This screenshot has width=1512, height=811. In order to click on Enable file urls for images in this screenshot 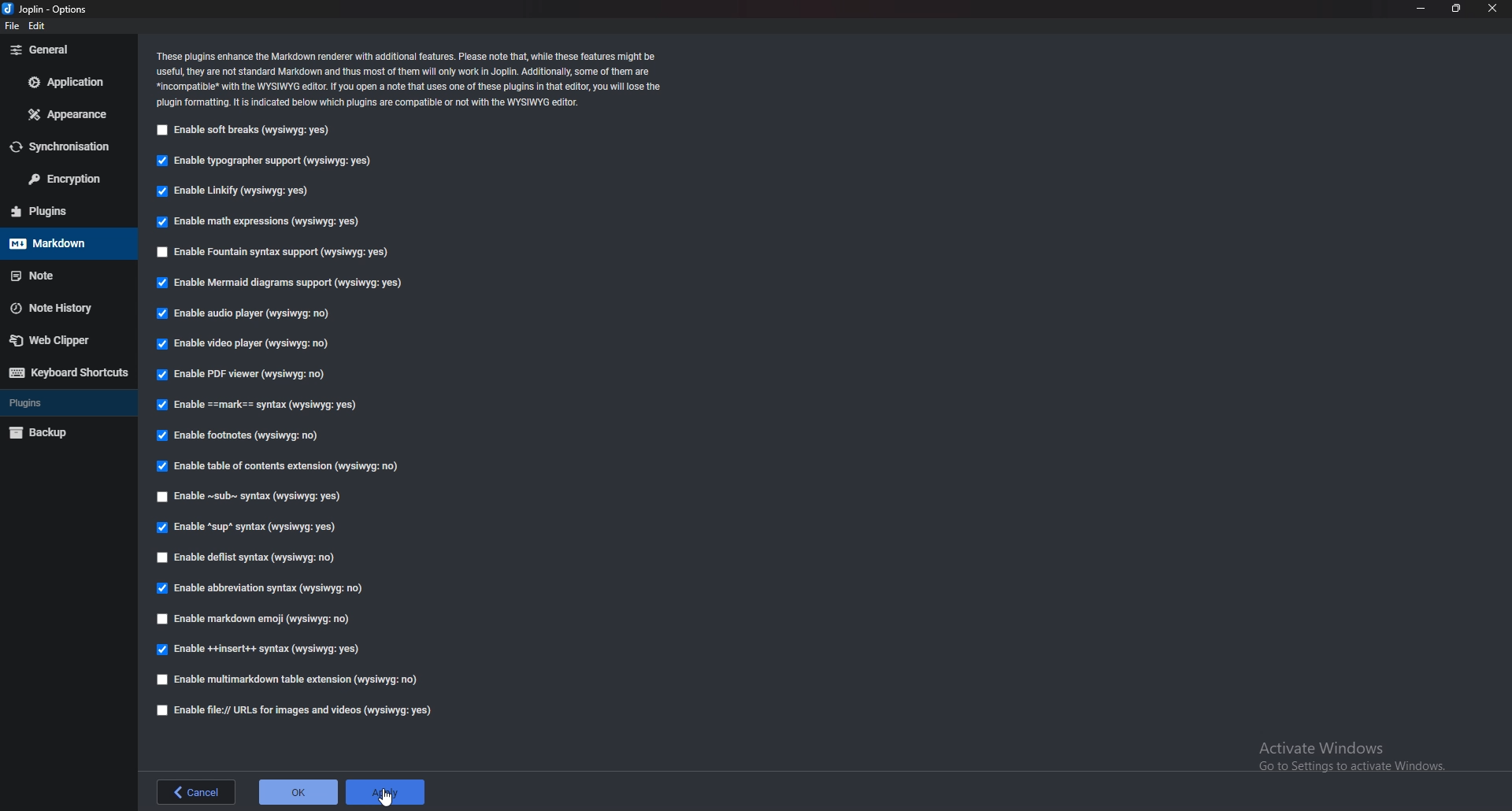, I will do `click(301, 710)`.